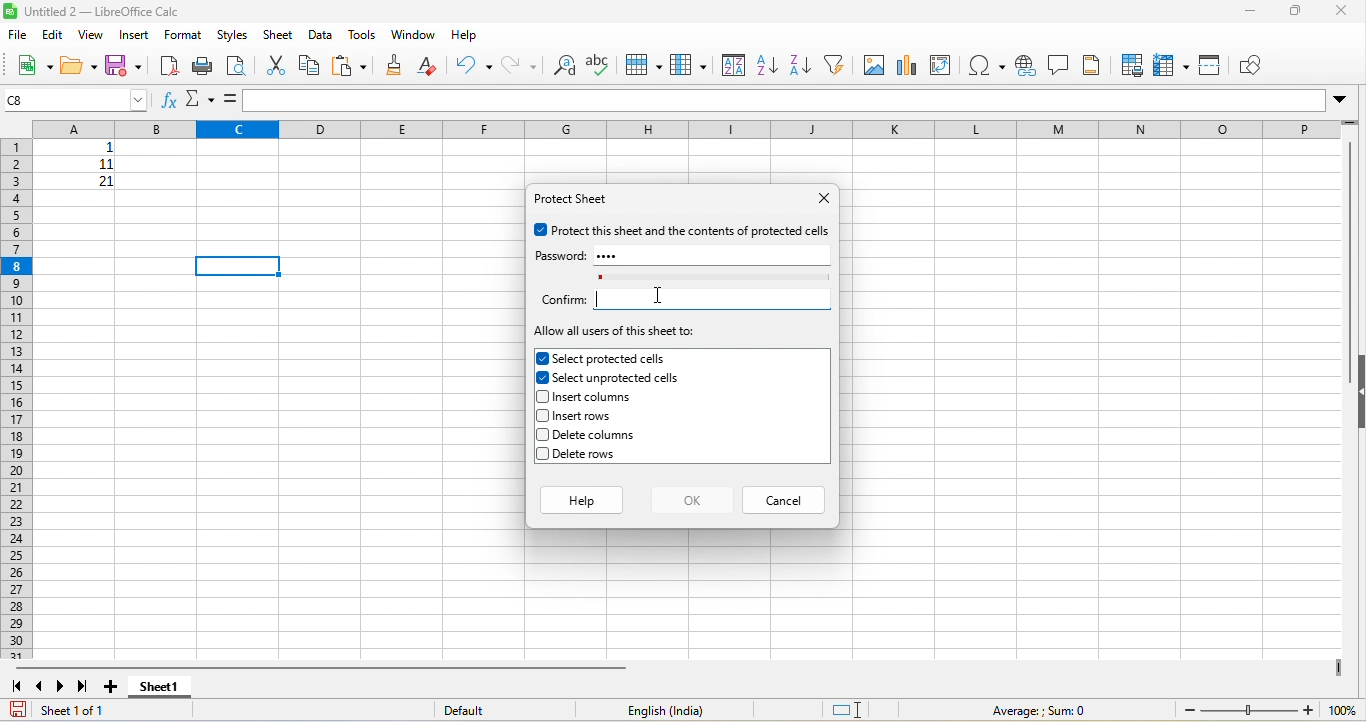  I want to click on clear direct formatting, so click(432, 66).